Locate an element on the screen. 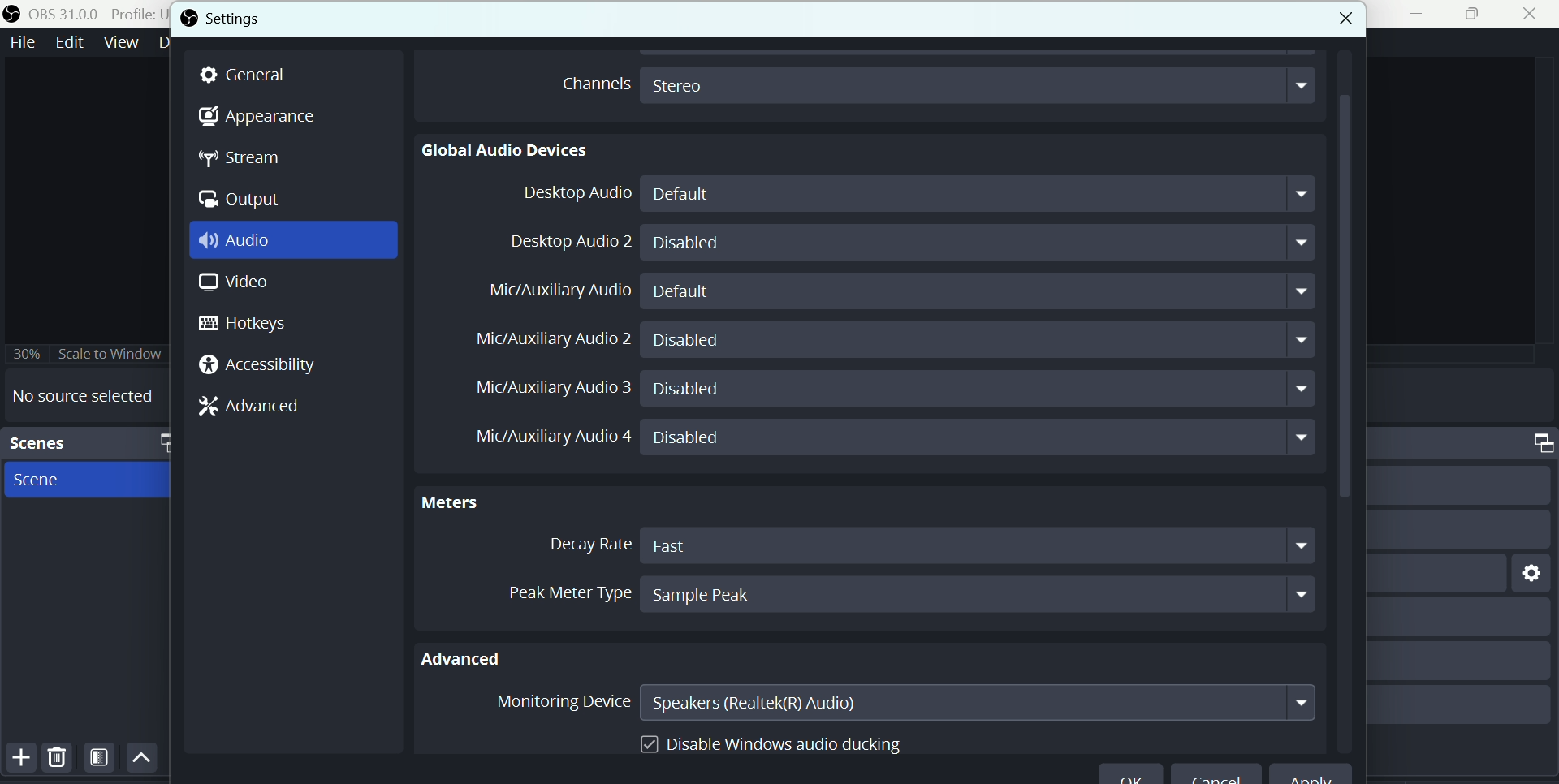 The width and height of the screenshot is (1559, 784). Sample Peak is located at coordinates (978, 594).